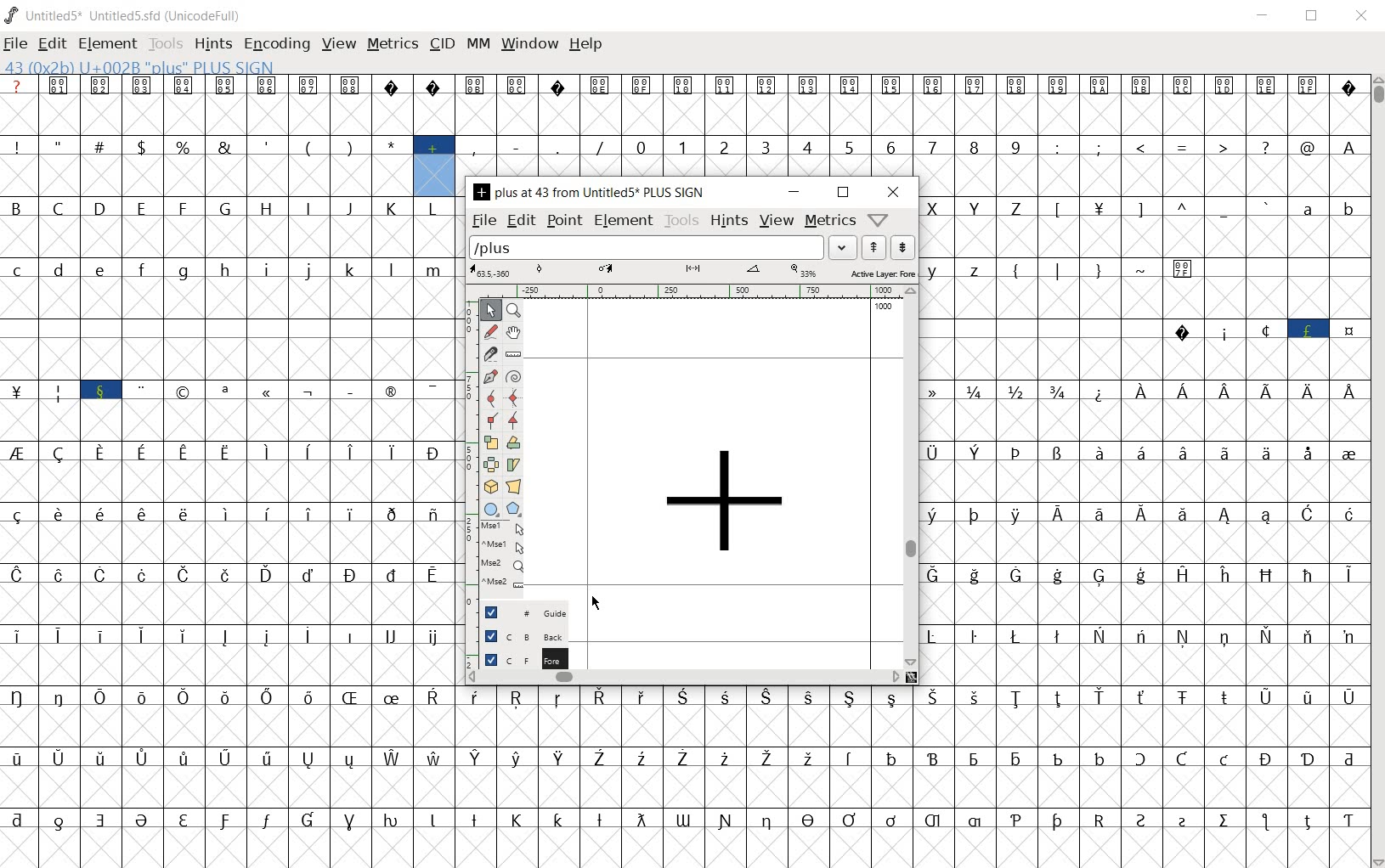  Describe the element at coordinates (227, 289) in the screenshot. I see `alphabets` at that location.